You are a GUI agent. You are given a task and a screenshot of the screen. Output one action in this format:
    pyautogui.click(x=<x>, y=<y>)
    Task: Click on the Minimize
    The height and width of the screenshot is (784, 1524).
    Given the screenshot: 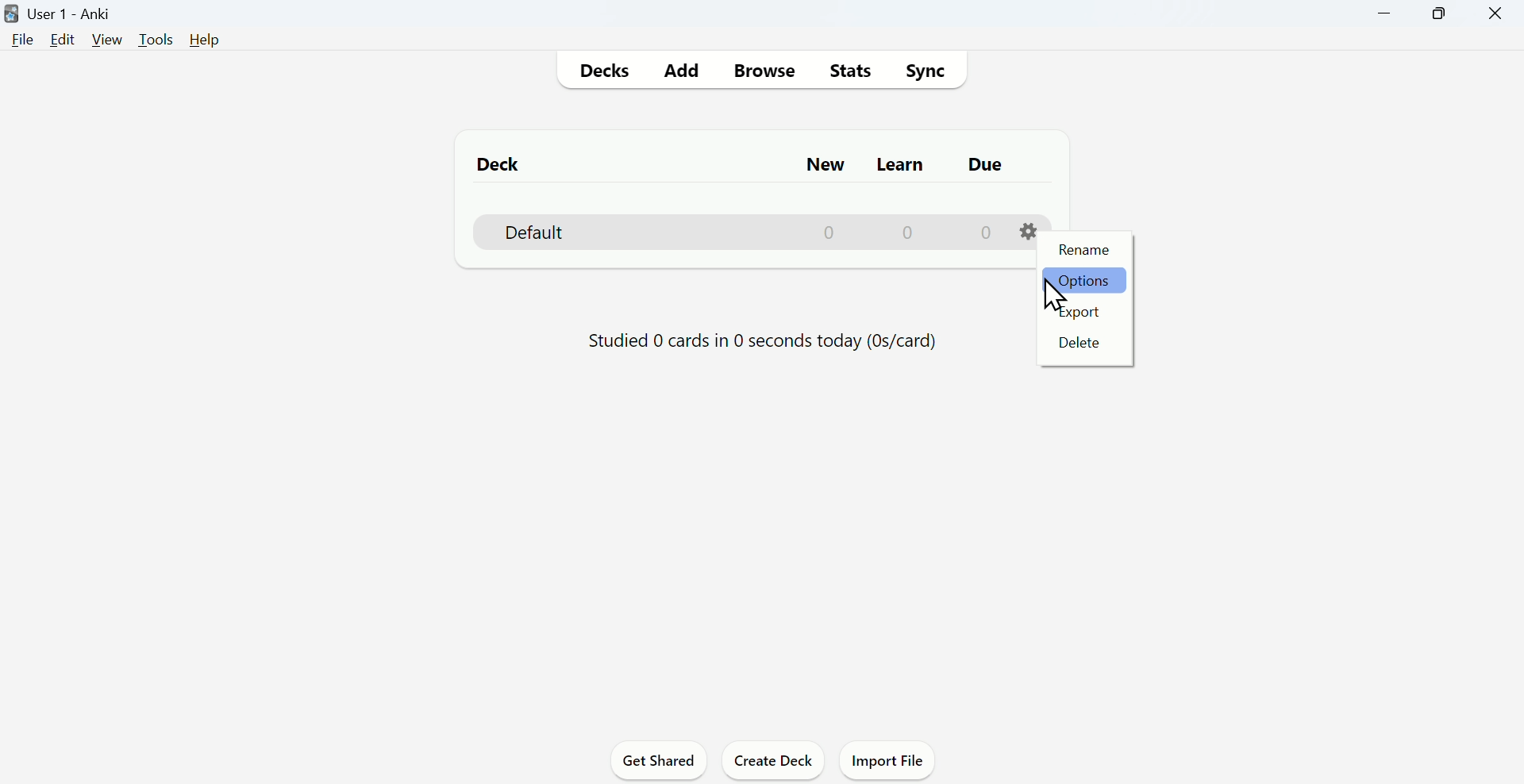 What is the action you would take?
    pyautogui.click(x=1381, y=18)
    